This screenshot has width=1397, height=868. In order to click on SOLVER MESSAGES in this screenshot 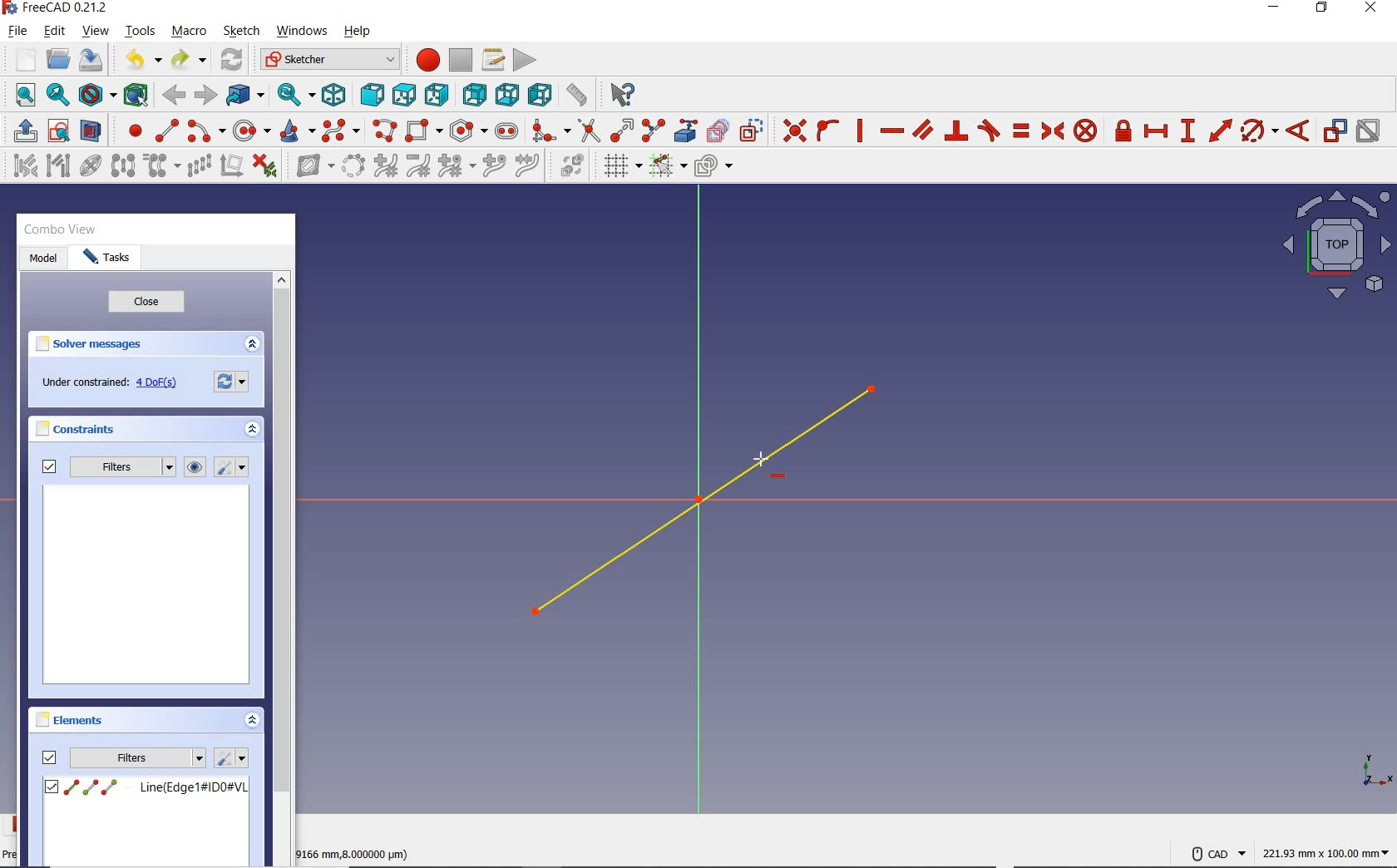, I will do `click(99, 345)`.